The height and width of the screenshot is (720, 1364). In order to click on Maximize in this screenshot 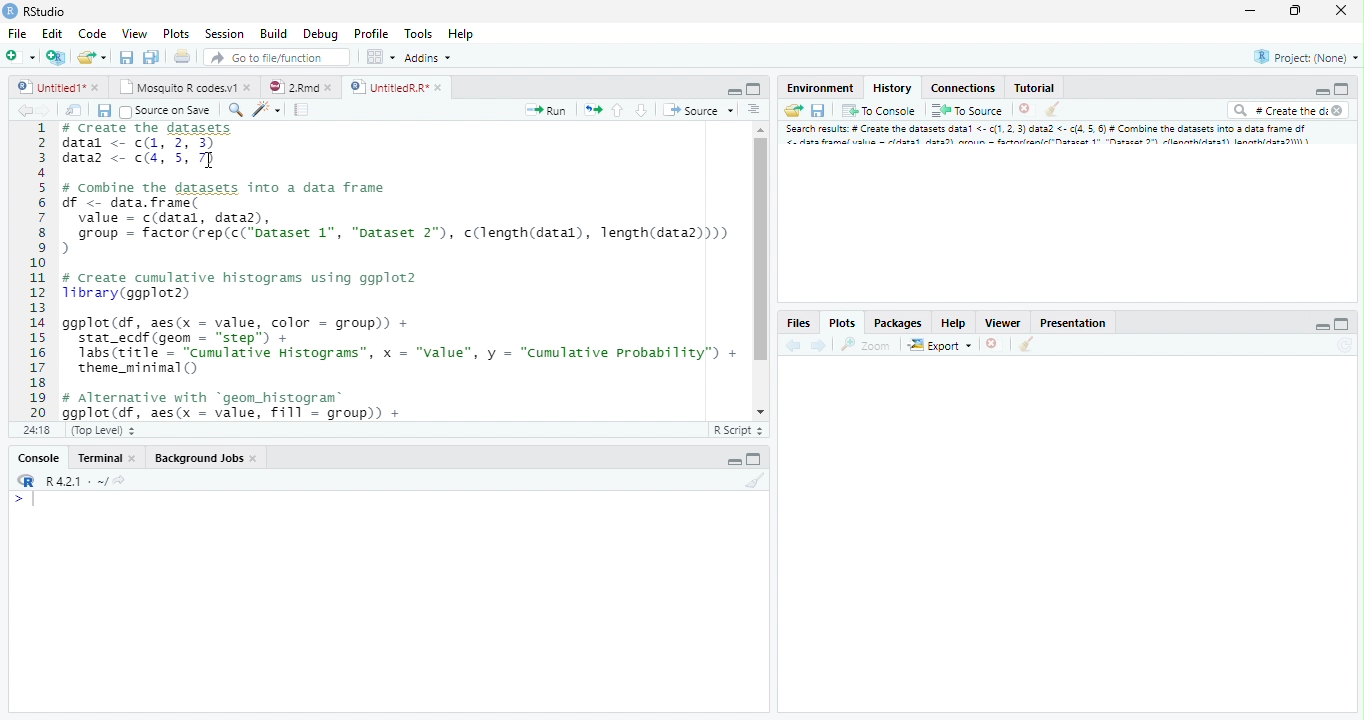, I will do `click(1294, 11)`.